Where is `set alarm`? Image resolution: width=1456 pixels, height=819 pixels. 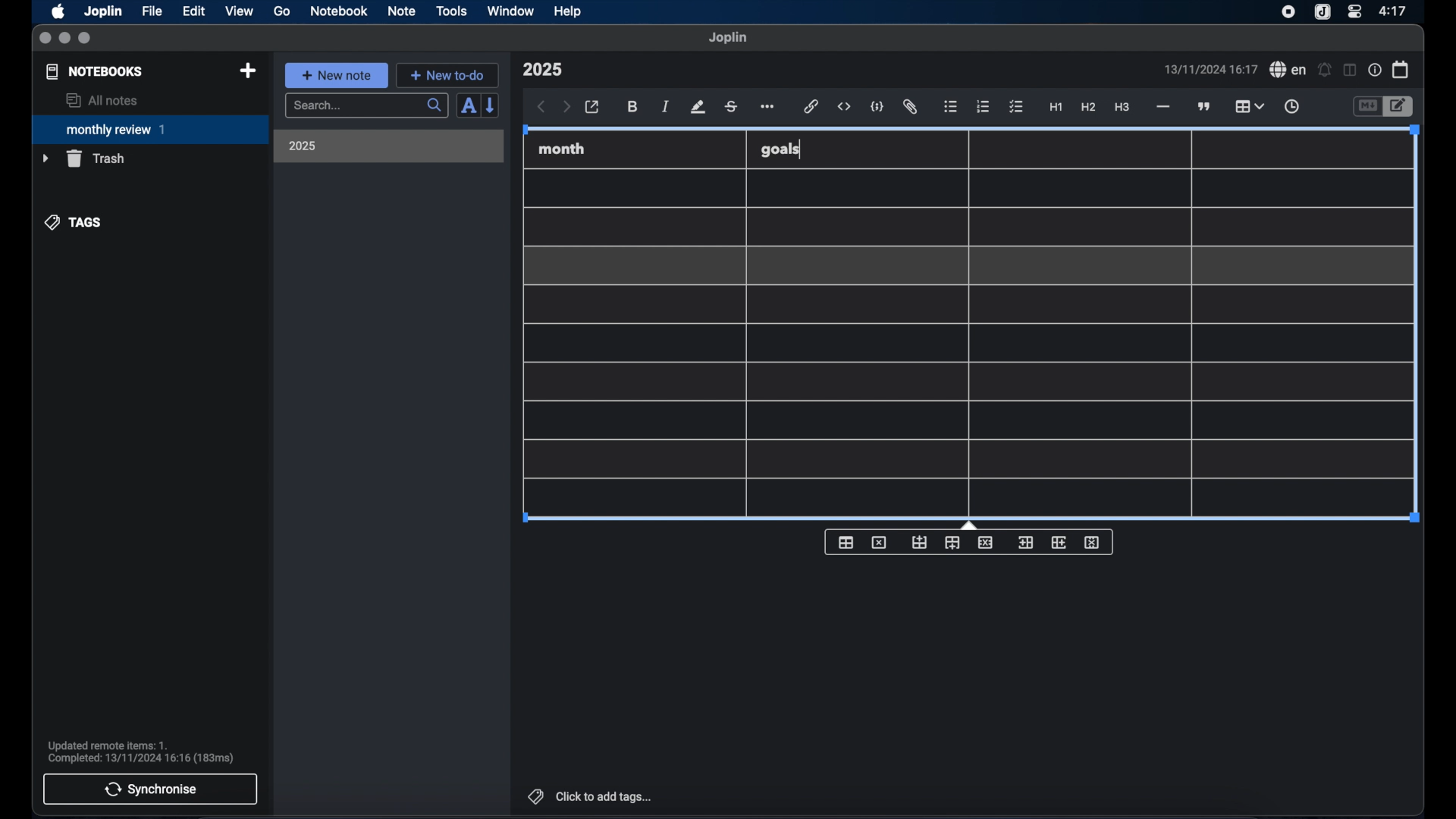
set alarm is located at coordinates (1325, 71).